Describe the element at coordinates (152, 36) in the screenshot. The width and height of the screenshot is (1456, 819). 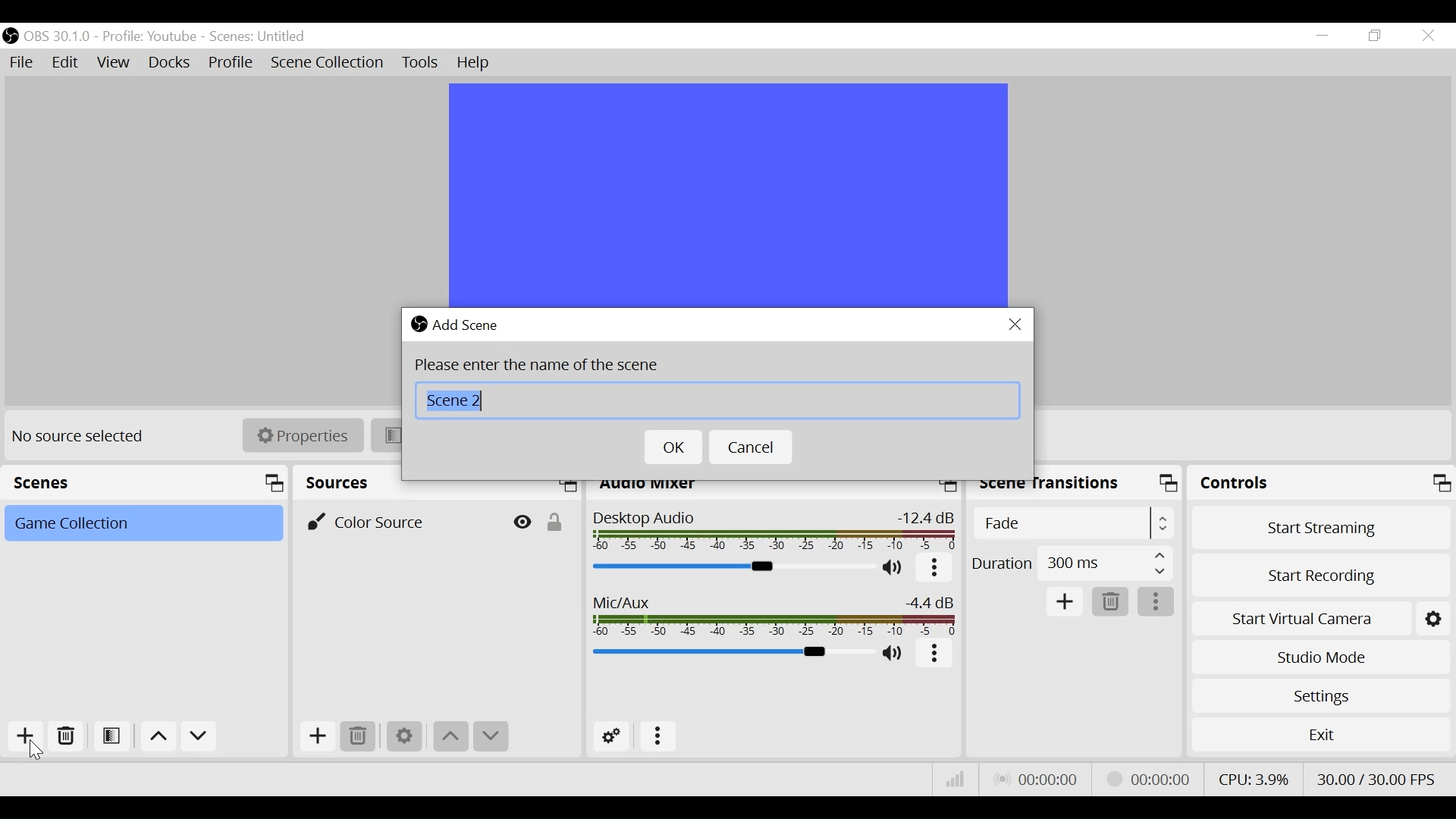
I see `Profile ` at that location.